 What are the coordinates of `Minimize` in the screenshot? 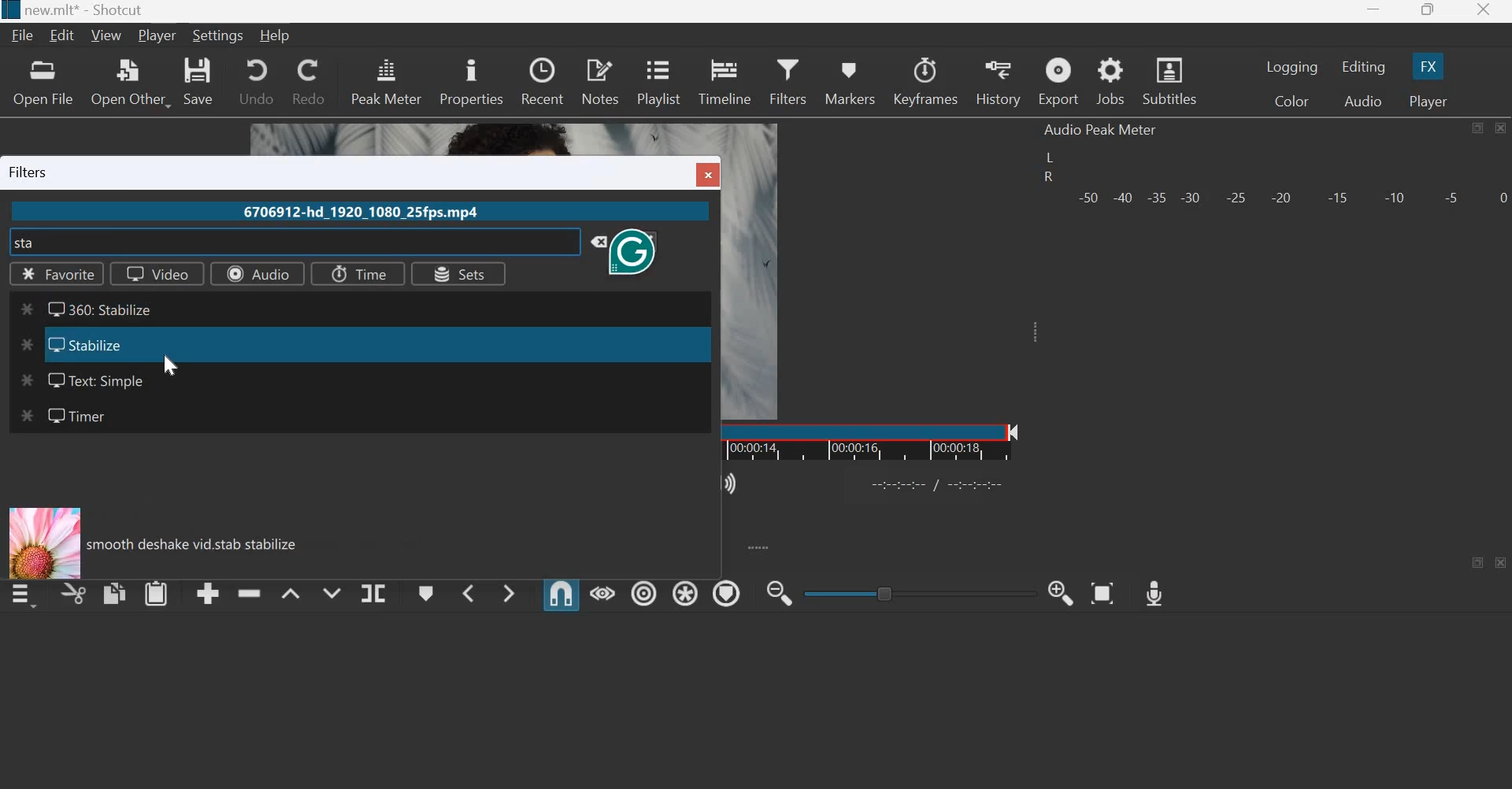 It's located at (1377, 10).